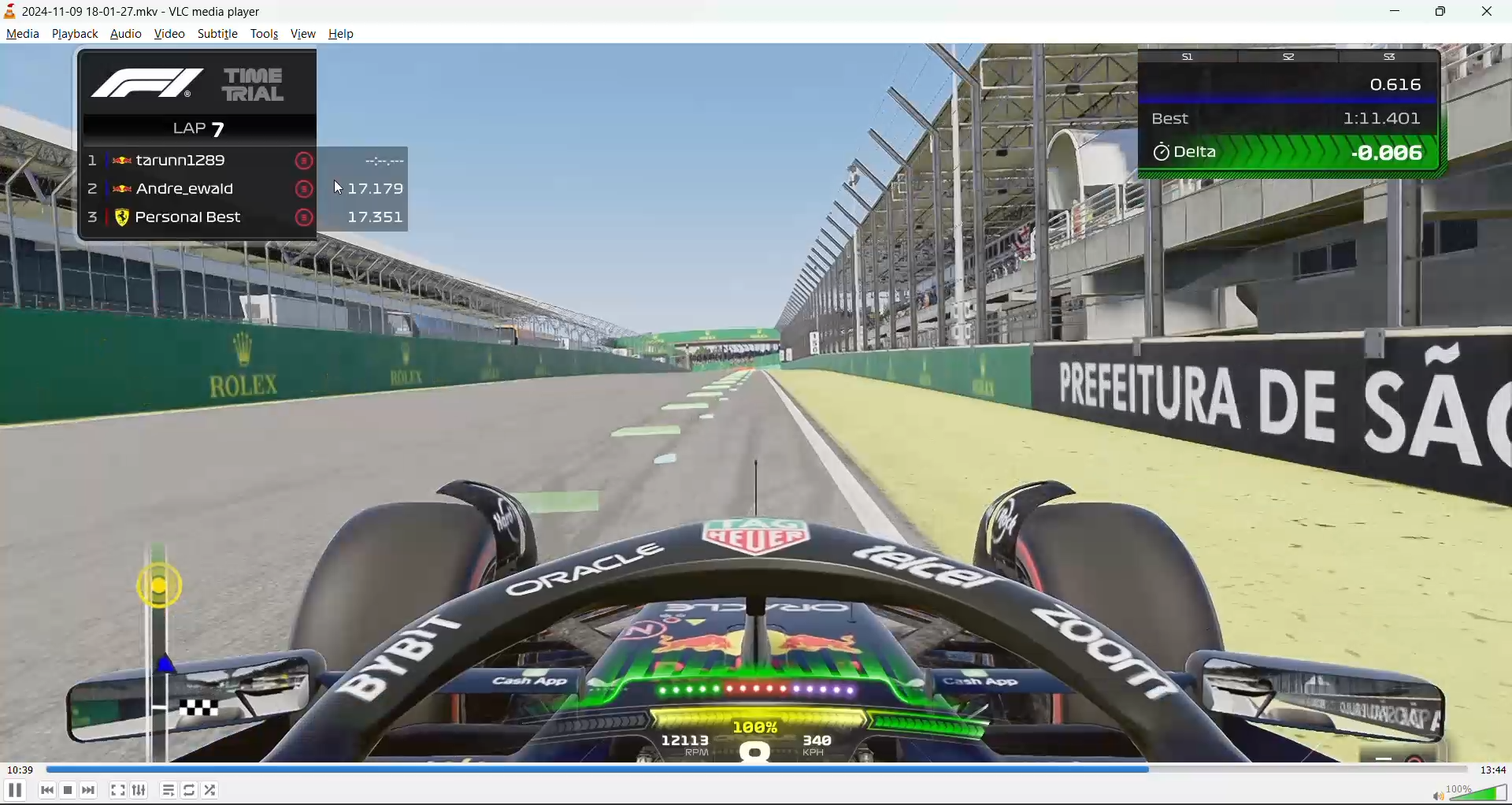 This screenshot has height=805, width=1512. Describe the element at coordinates (1493, 12) in the screenshot. I see `close` at that location.